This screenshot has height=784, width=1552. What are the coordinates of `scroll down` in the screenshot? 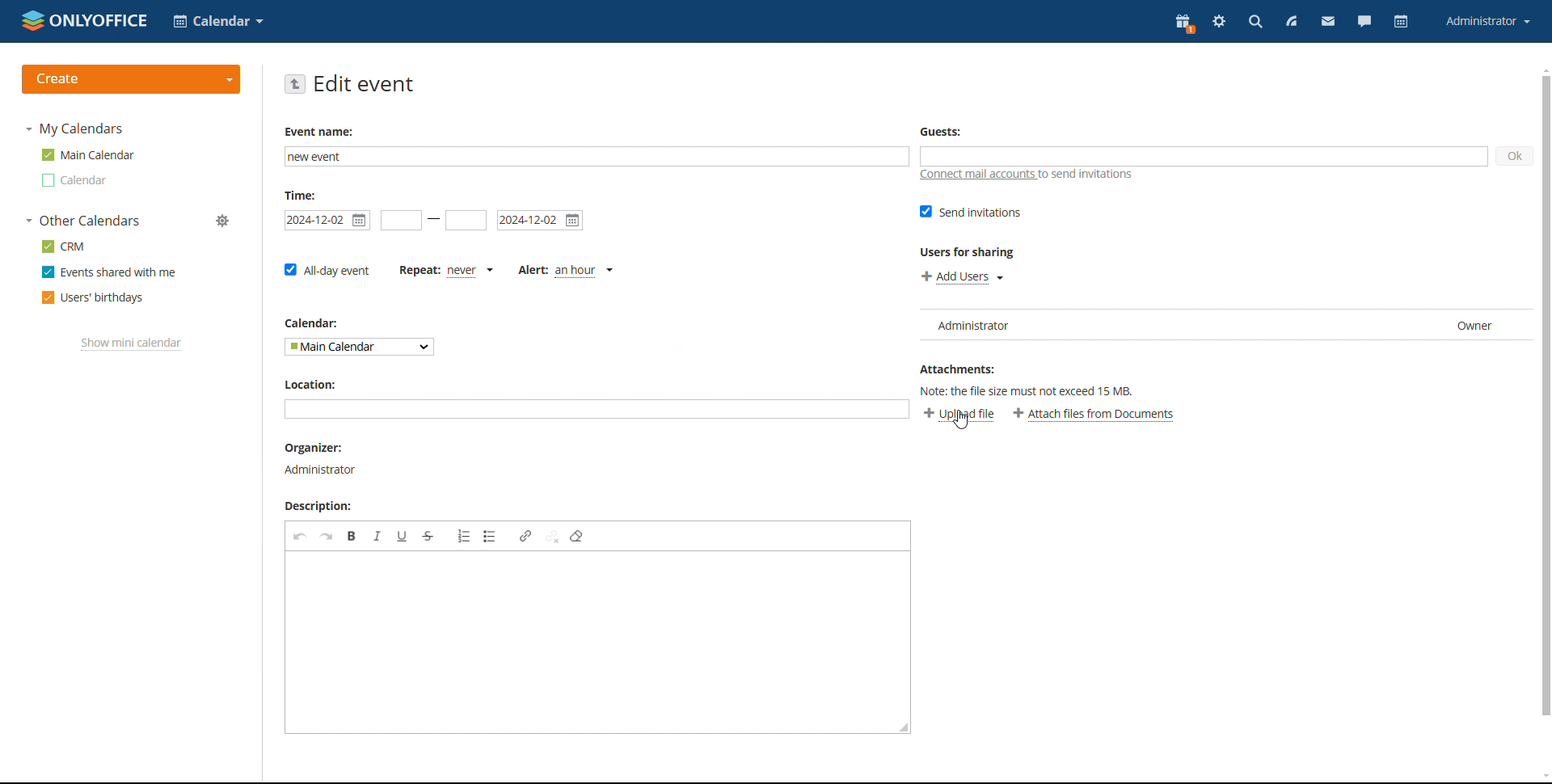 It's located at (1542, 778).